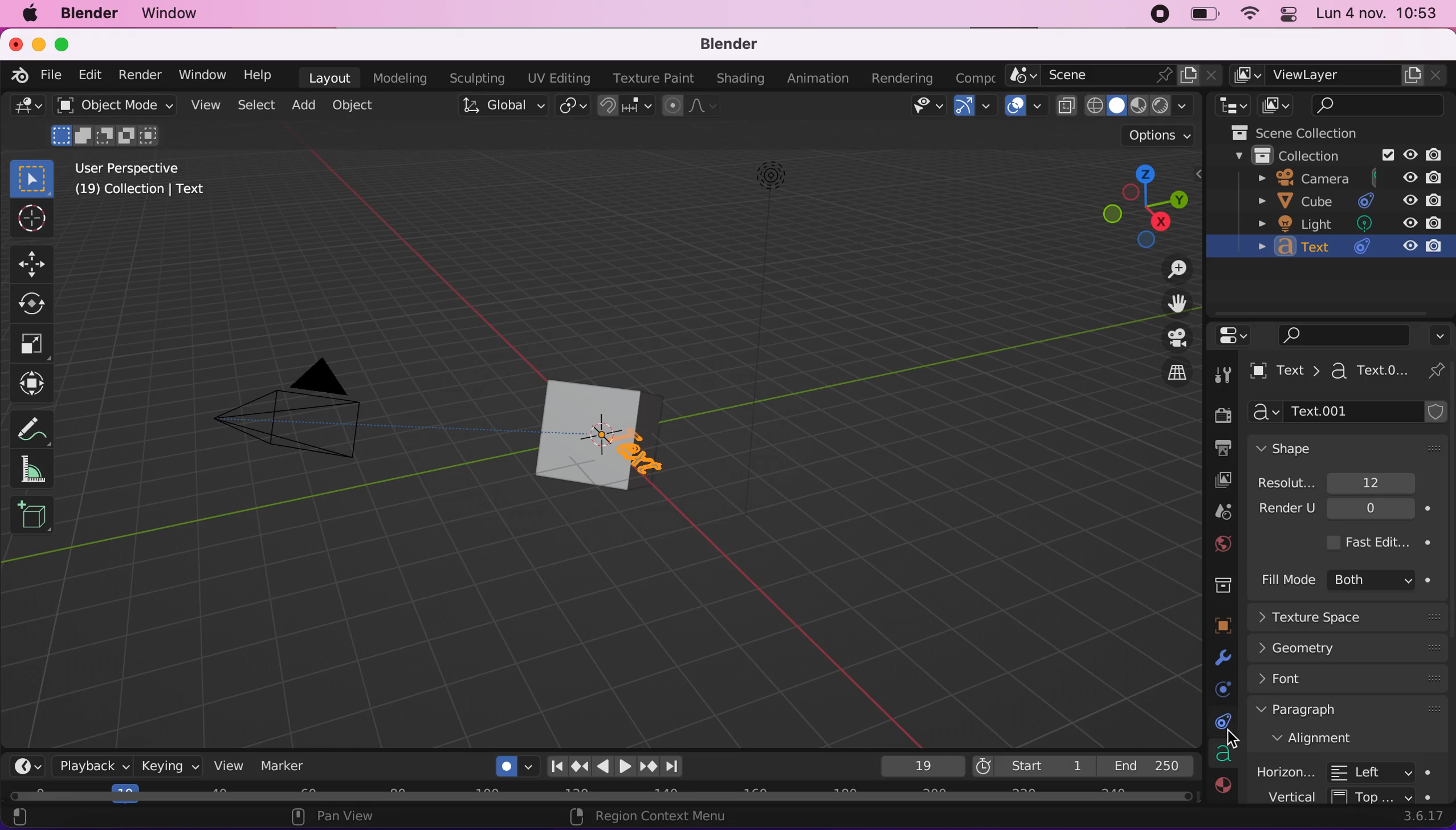 Image resolution: width=1456 pixels, height=830 pixels. I want to click on file, so click(52, 74).